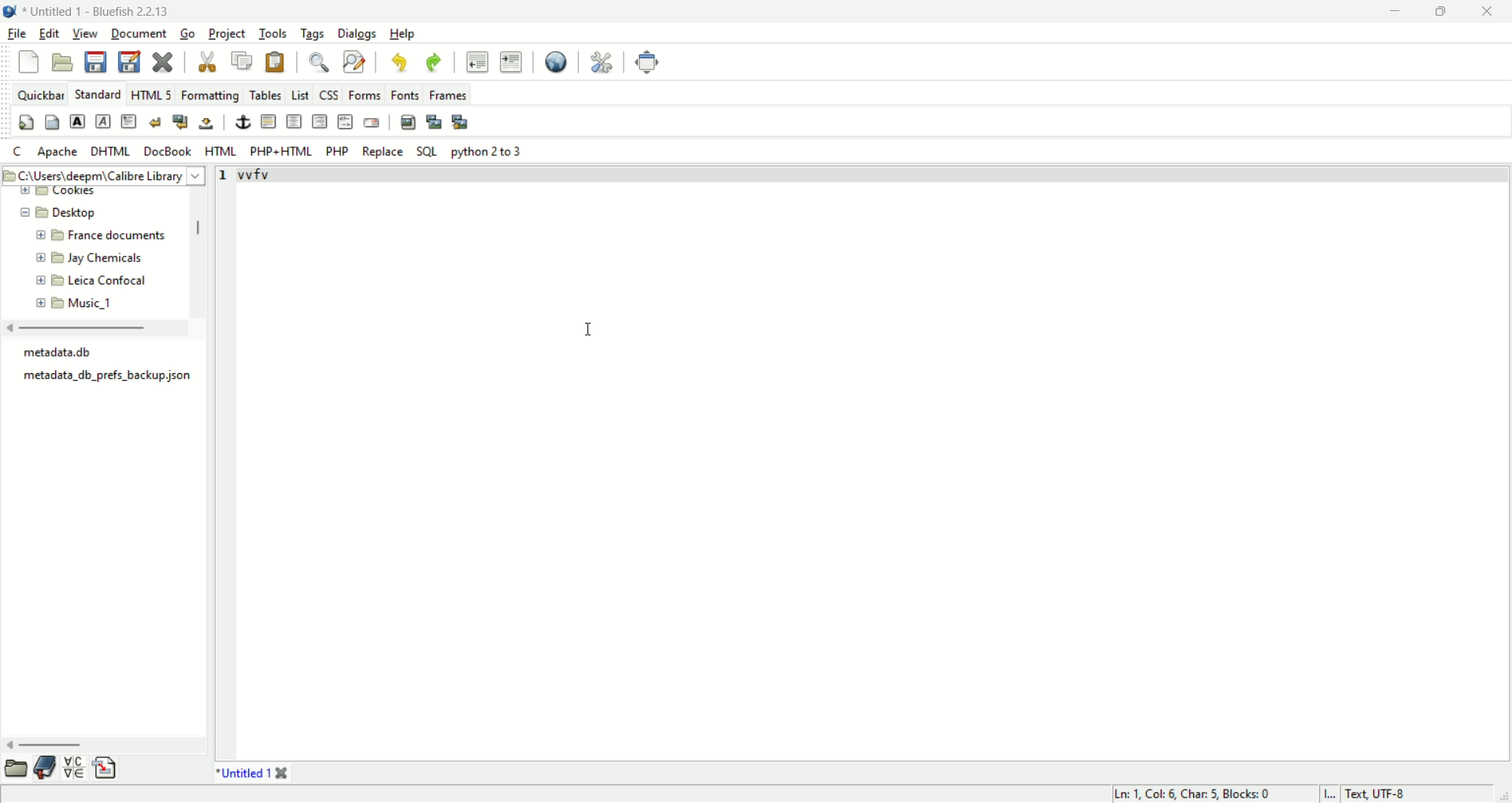 This screenshot has width=1512, height=803. What do you see at coordinates (1395, 13) in the screenshot?
I see `minimize` at bounding box center [1395, 13].